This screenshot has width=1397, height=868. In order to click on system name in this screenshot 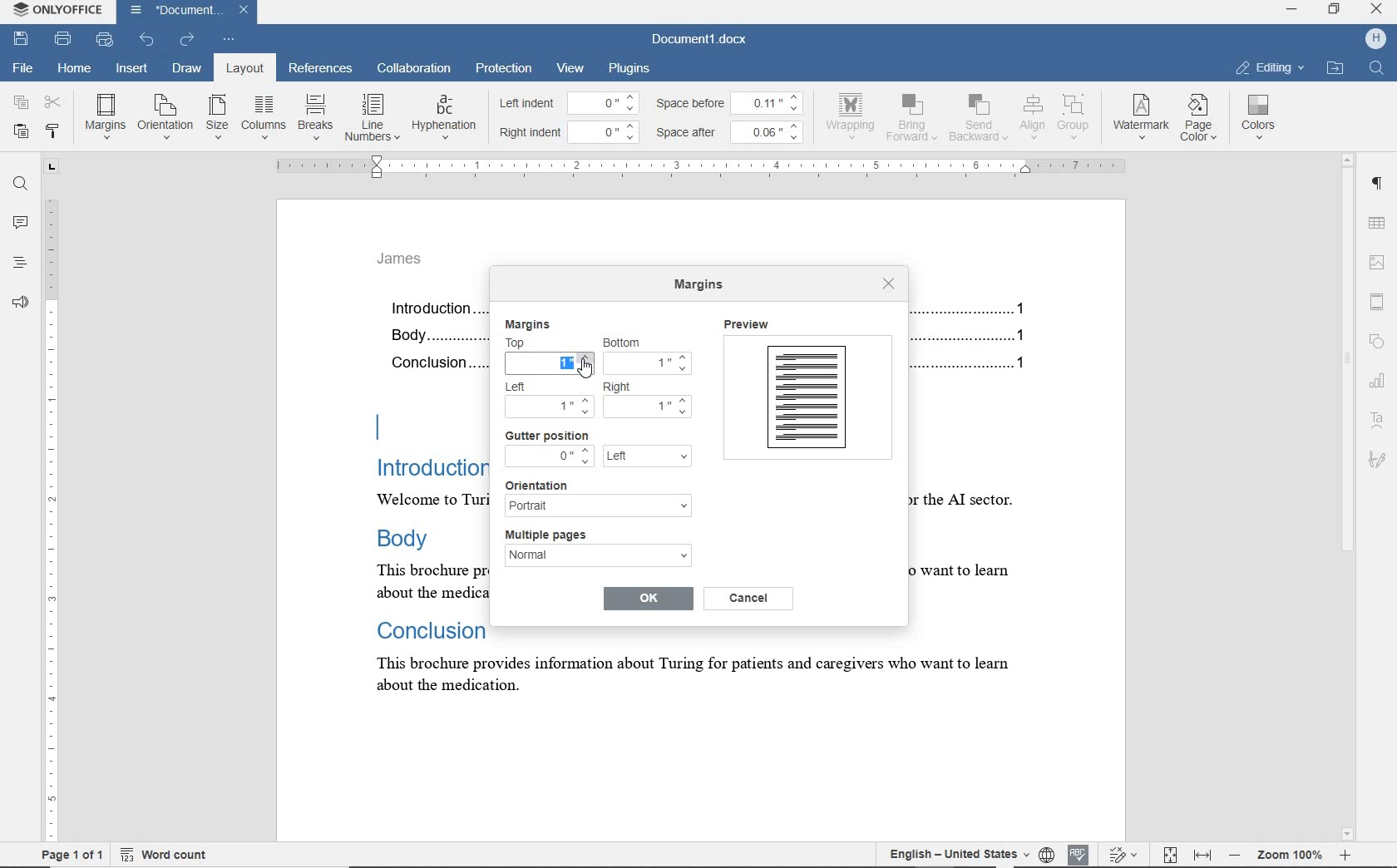, I will do `click(60, 12)`.